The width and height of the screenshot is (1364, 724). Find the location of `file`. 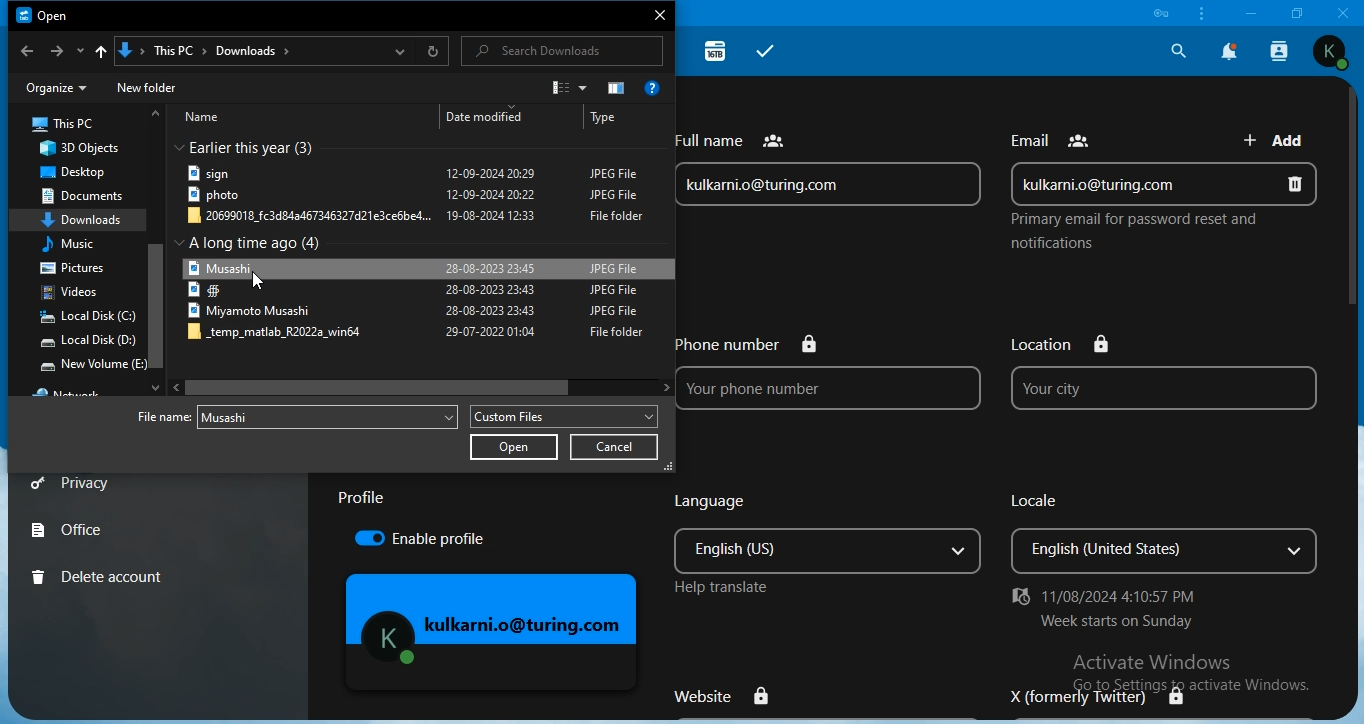

file is located at coordinates (328, 416).